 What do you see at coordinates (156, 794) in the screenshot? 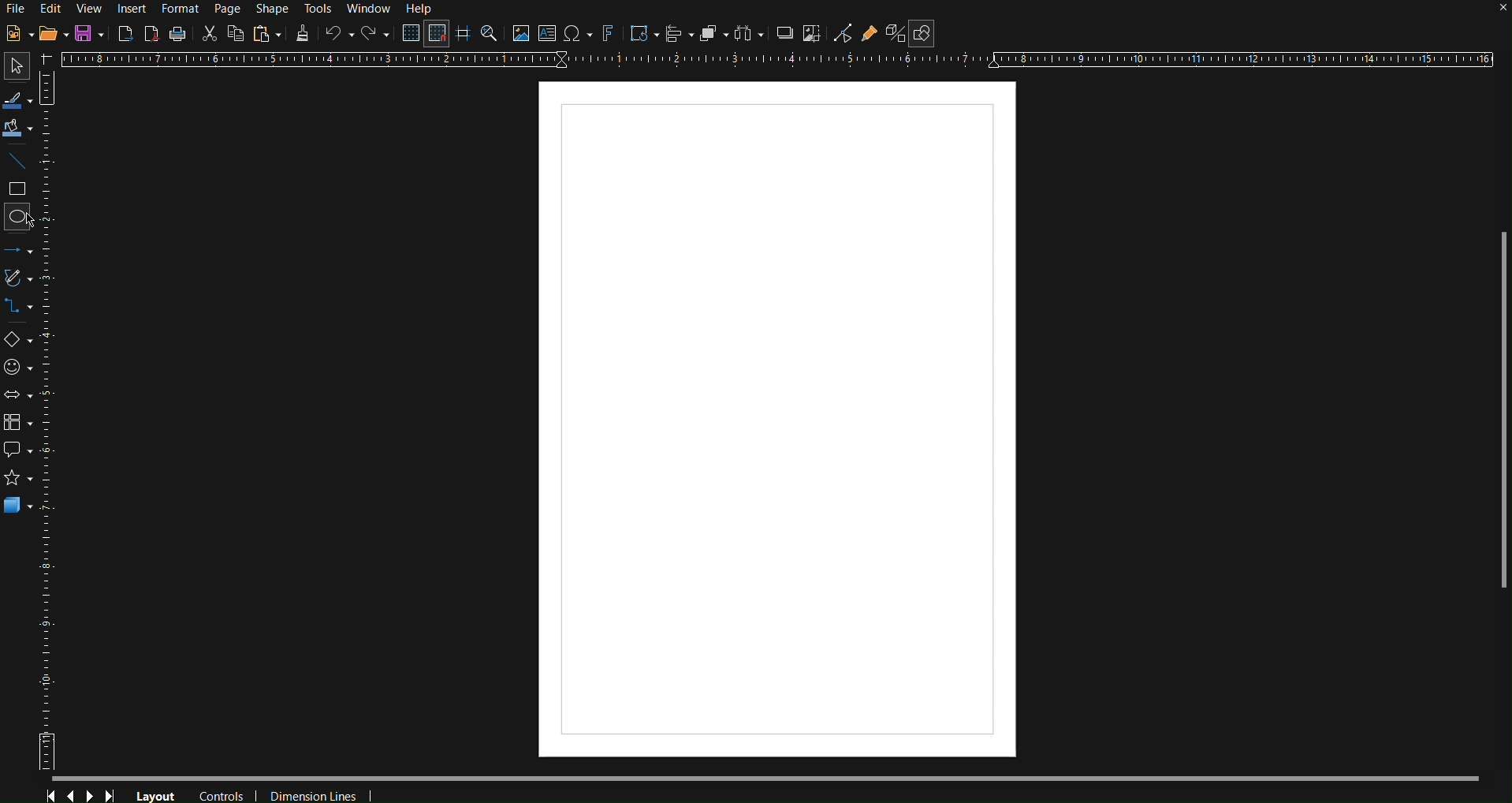
I see `Layout` at bounding box center [156, 794].